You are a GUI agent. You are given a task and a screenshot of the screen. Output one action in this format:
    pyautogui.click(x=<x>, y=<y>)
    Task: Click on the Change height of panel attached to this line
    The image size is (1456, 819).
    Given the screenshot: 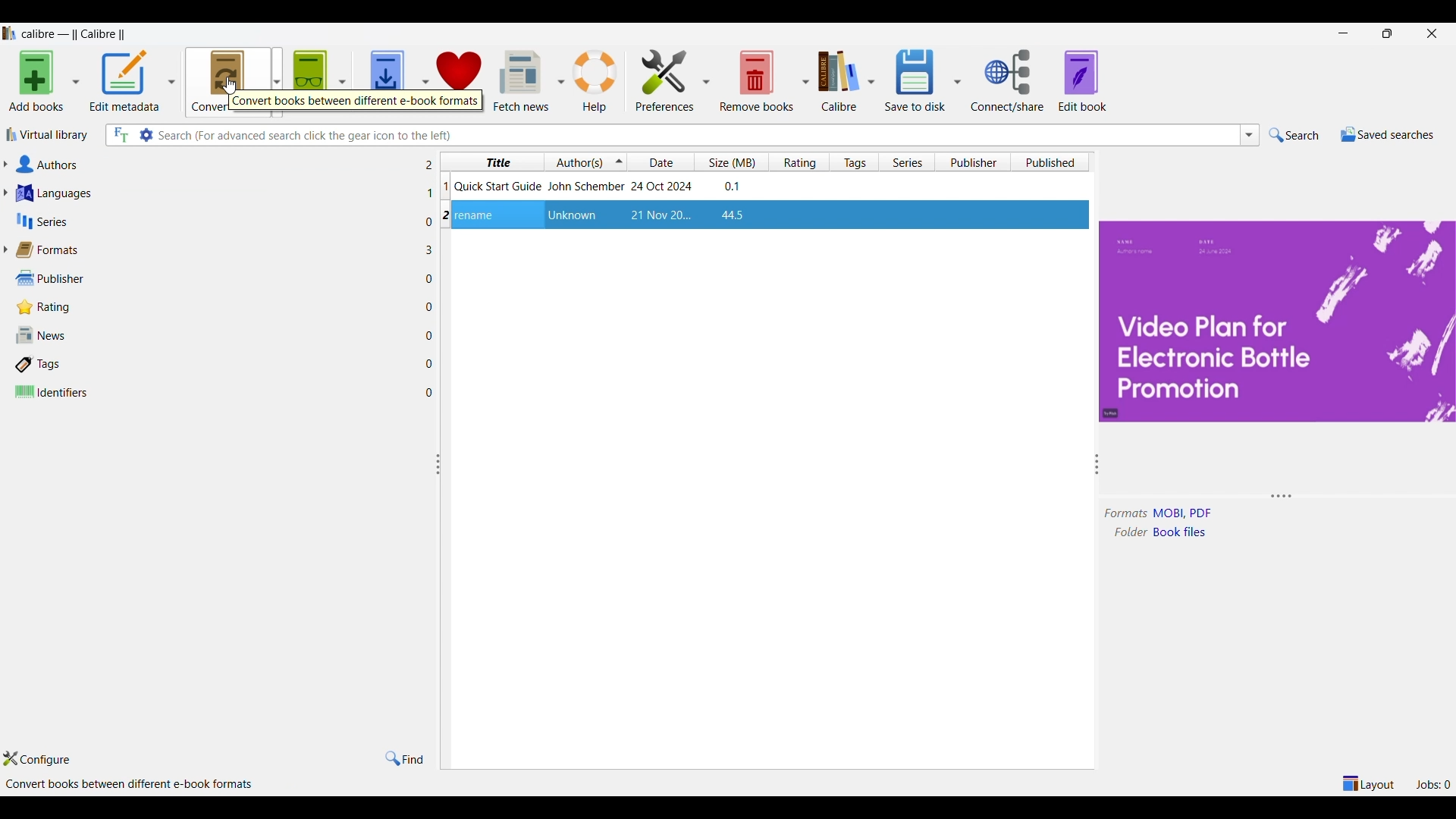 What is the action you would take?
    pyautogui.click(x=1263, y=497)
    